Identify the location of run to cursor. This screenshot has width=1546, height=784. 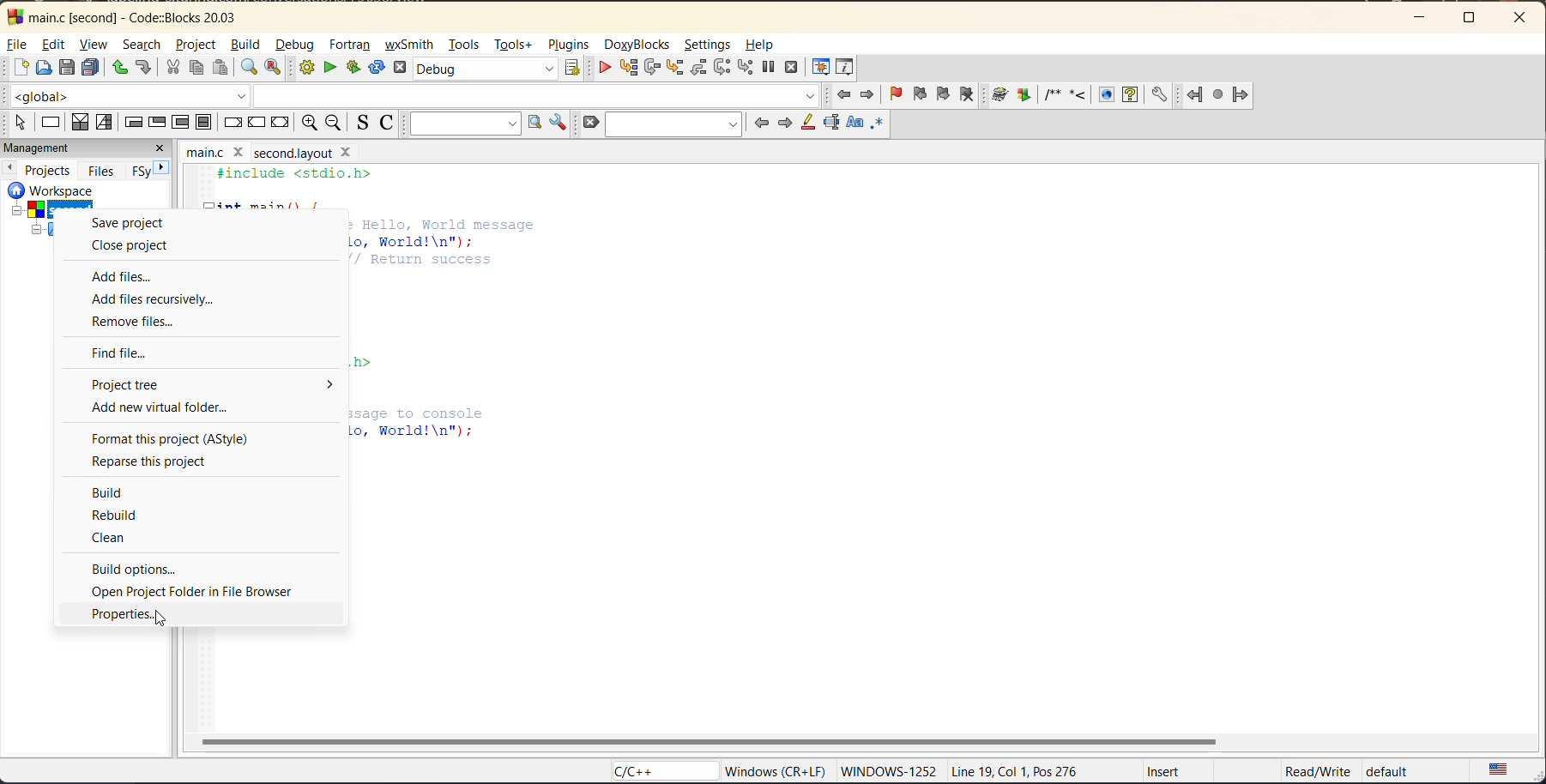
(626, 69).